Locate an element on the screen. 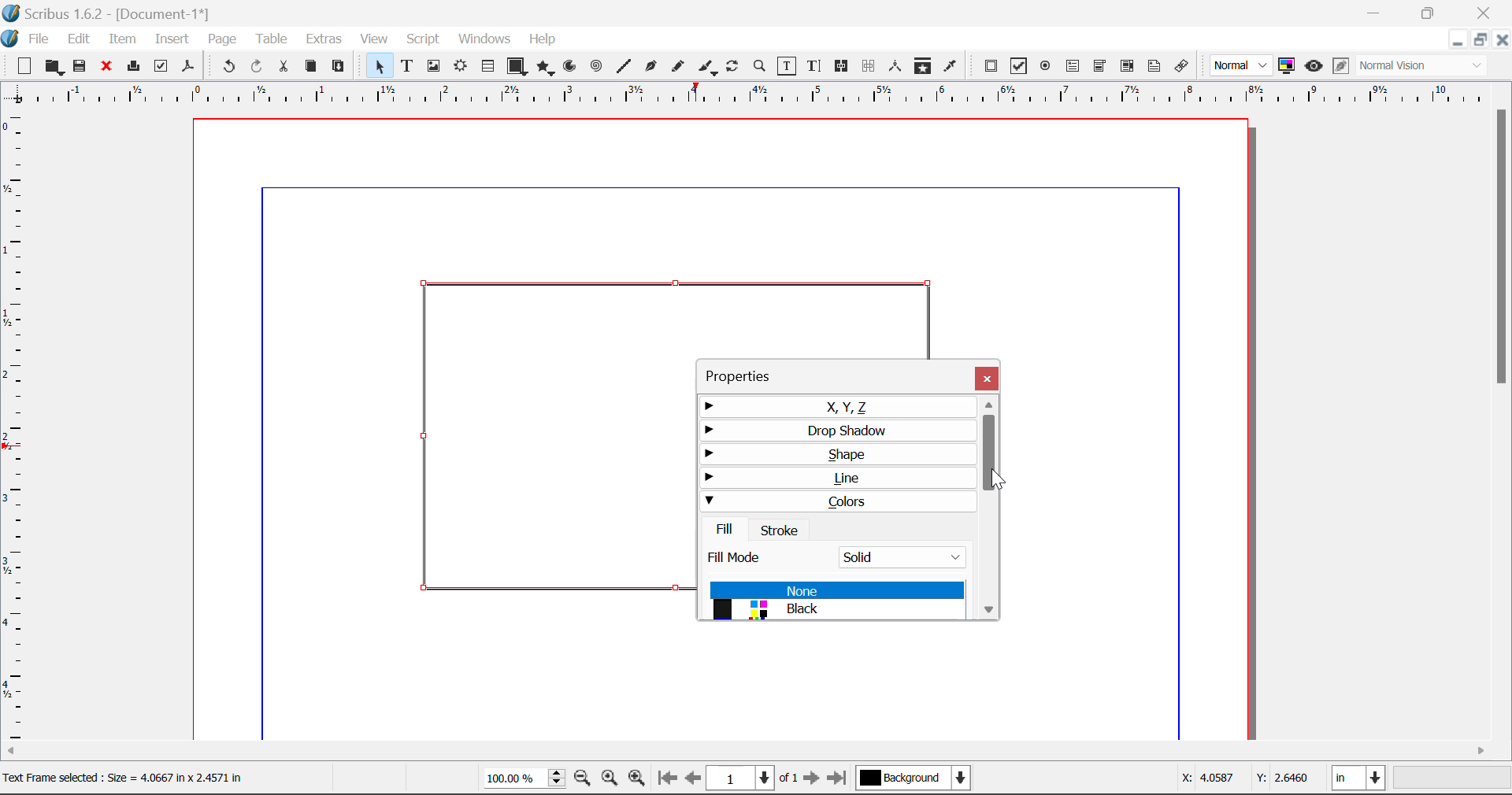 This screenshot has width=1512, height=795. Link Annotation is located at coordinates (1180, 66).